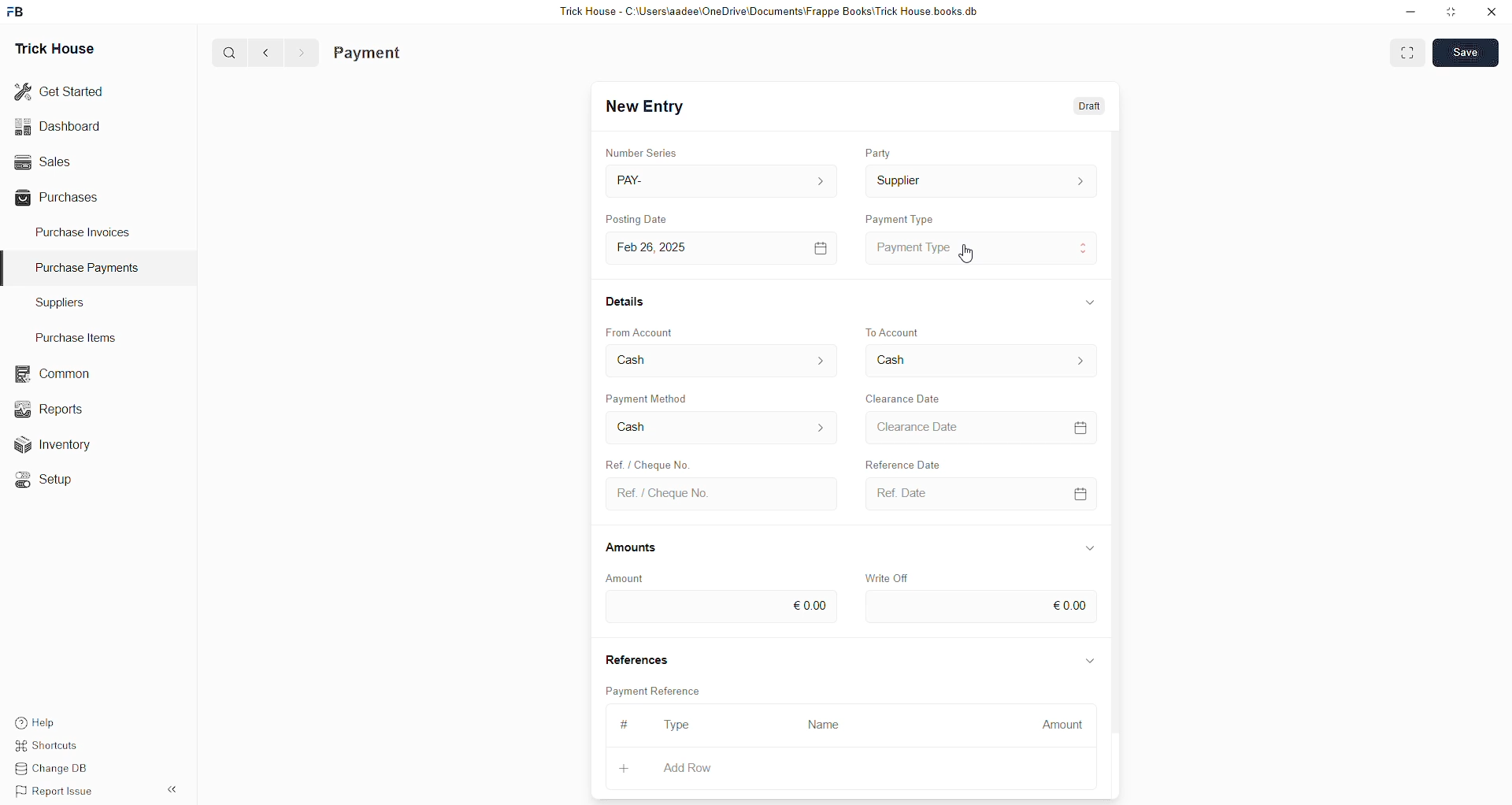  What do you see at coordinates (1063, 725) in the screenshot?
I see `Amount` at bounding box center [1063, 725].